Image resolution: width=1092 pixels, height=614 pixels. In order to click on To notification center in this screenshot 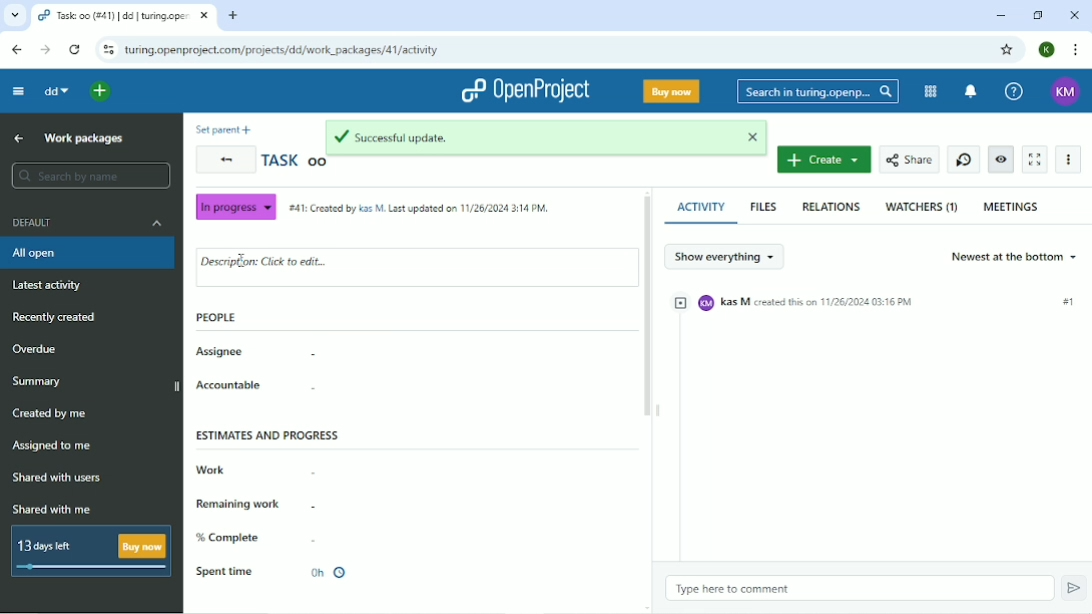, I will do `click(970, 91)`.